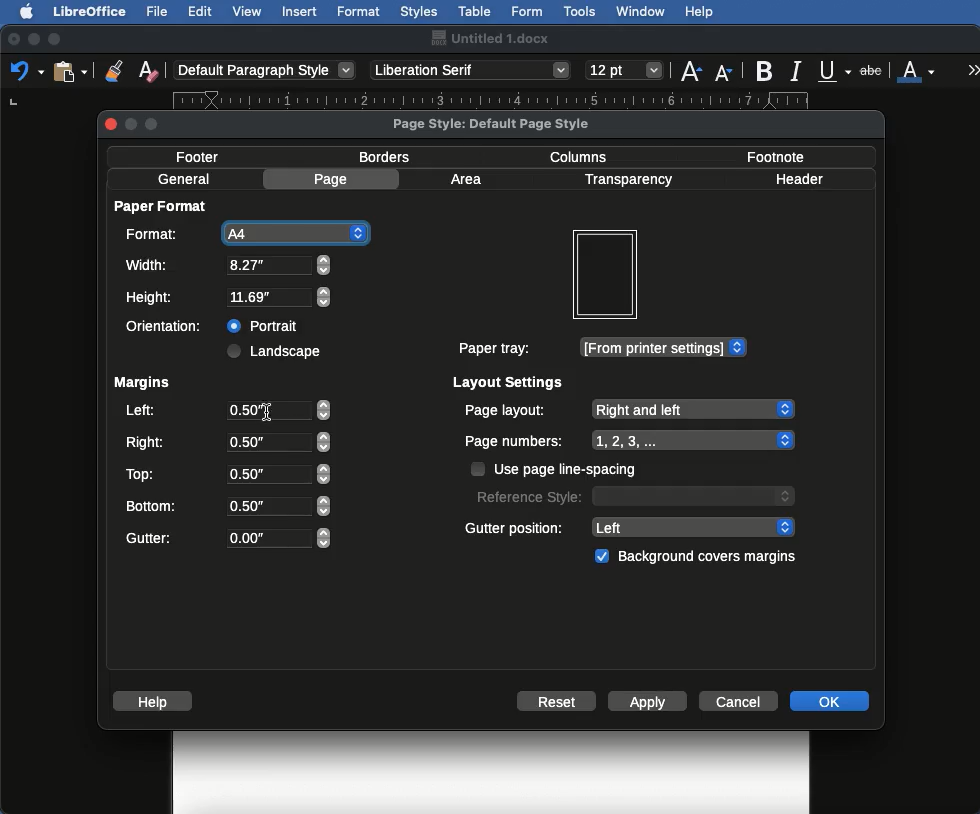 This screenshot has height=814, width=980. I want to click on Size decrease, so click(728, 72).